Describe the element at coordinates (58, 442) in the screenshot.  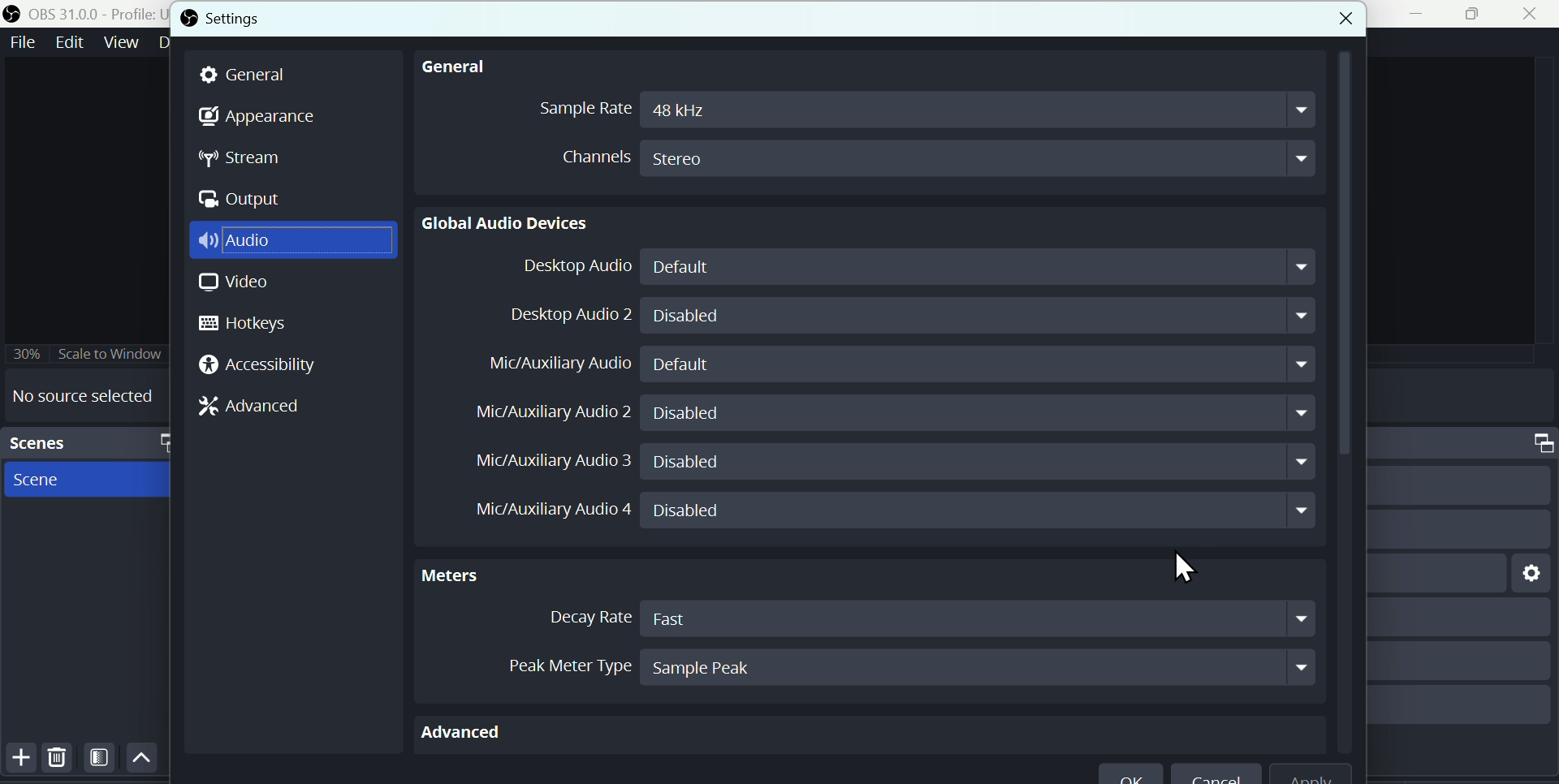
I see `Scenes` at that location.